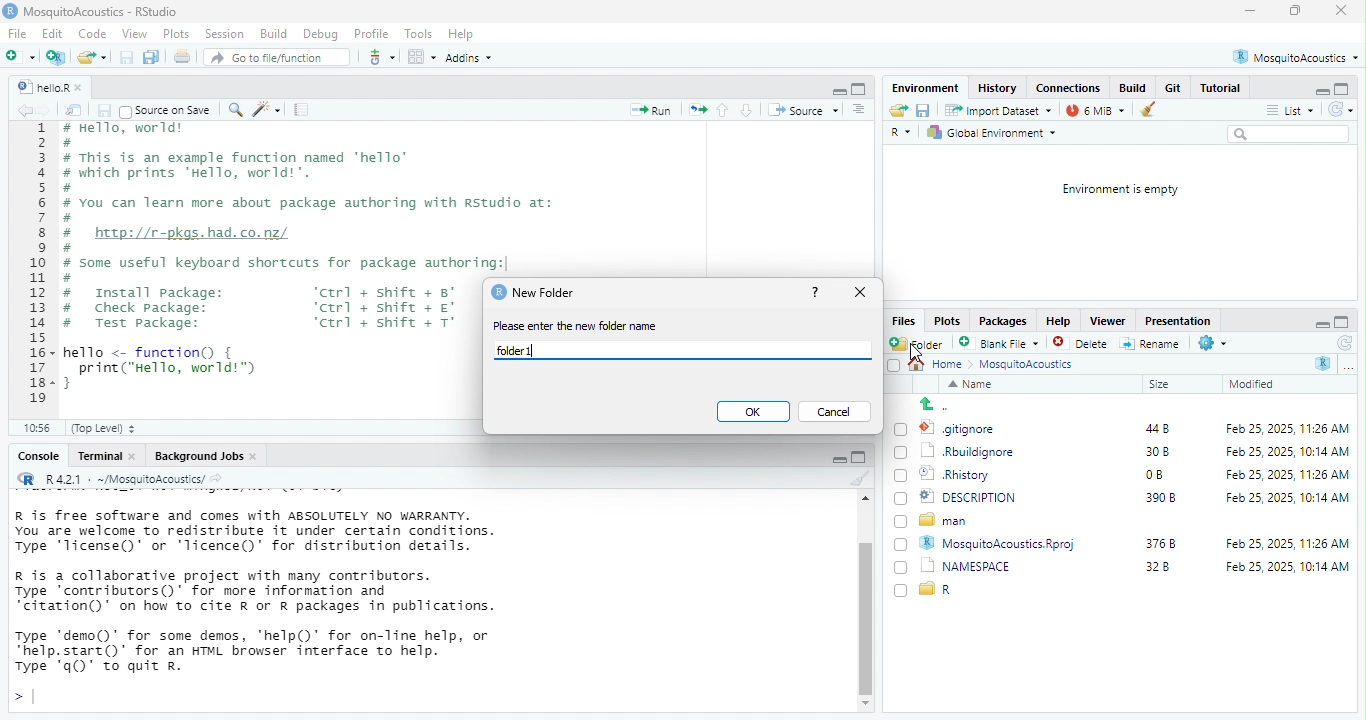  Describe the element at coordinates (955, 474) in the screenshot. I see ` Rhistory` at that location.